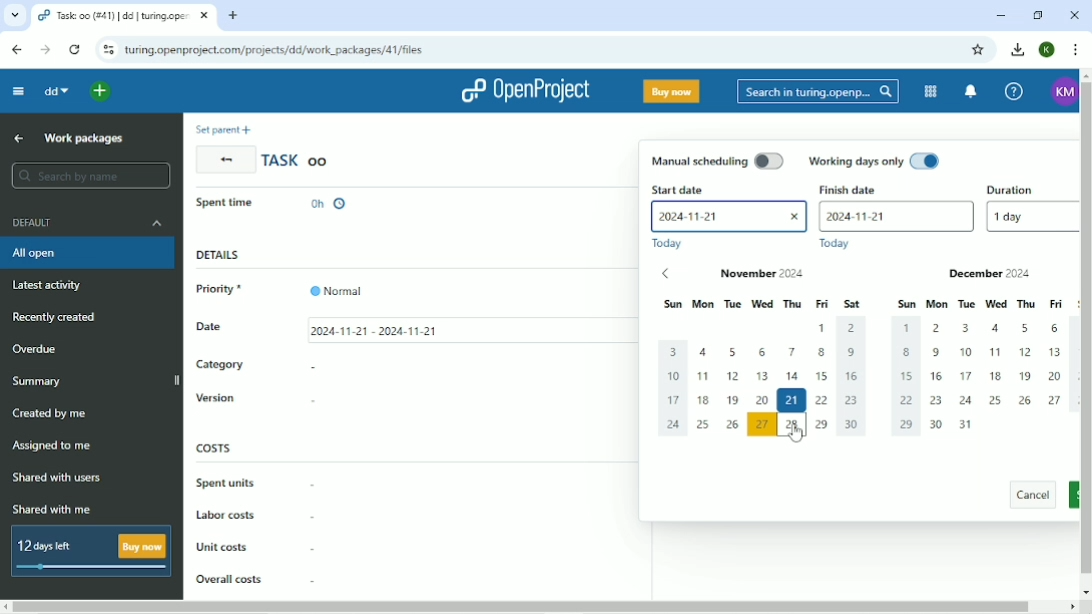  Describe the element at coordinates (218, 254) in the screenshot. I see `Details` at that location.